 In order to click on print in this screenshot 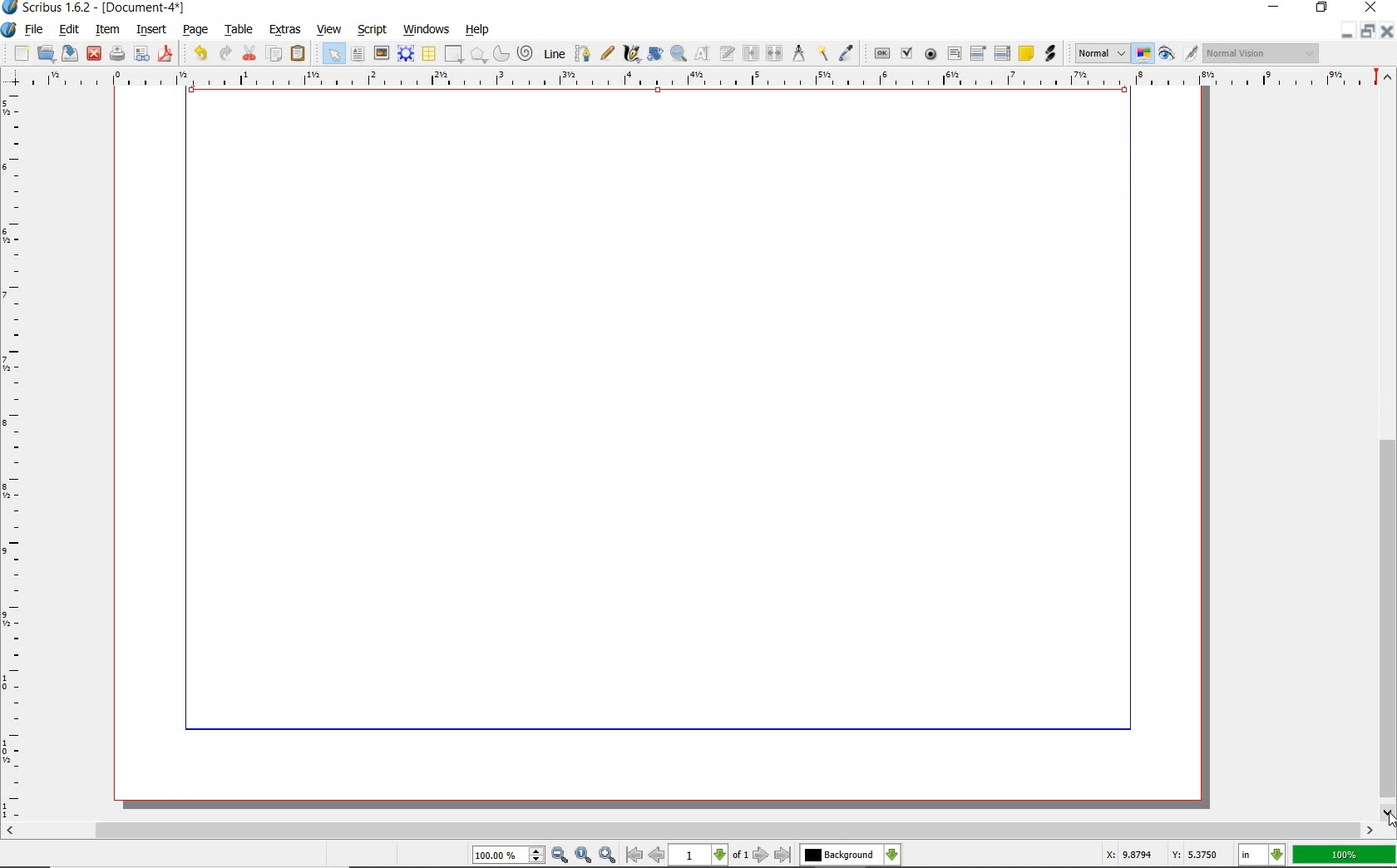, I will do `click(116, 54)`.